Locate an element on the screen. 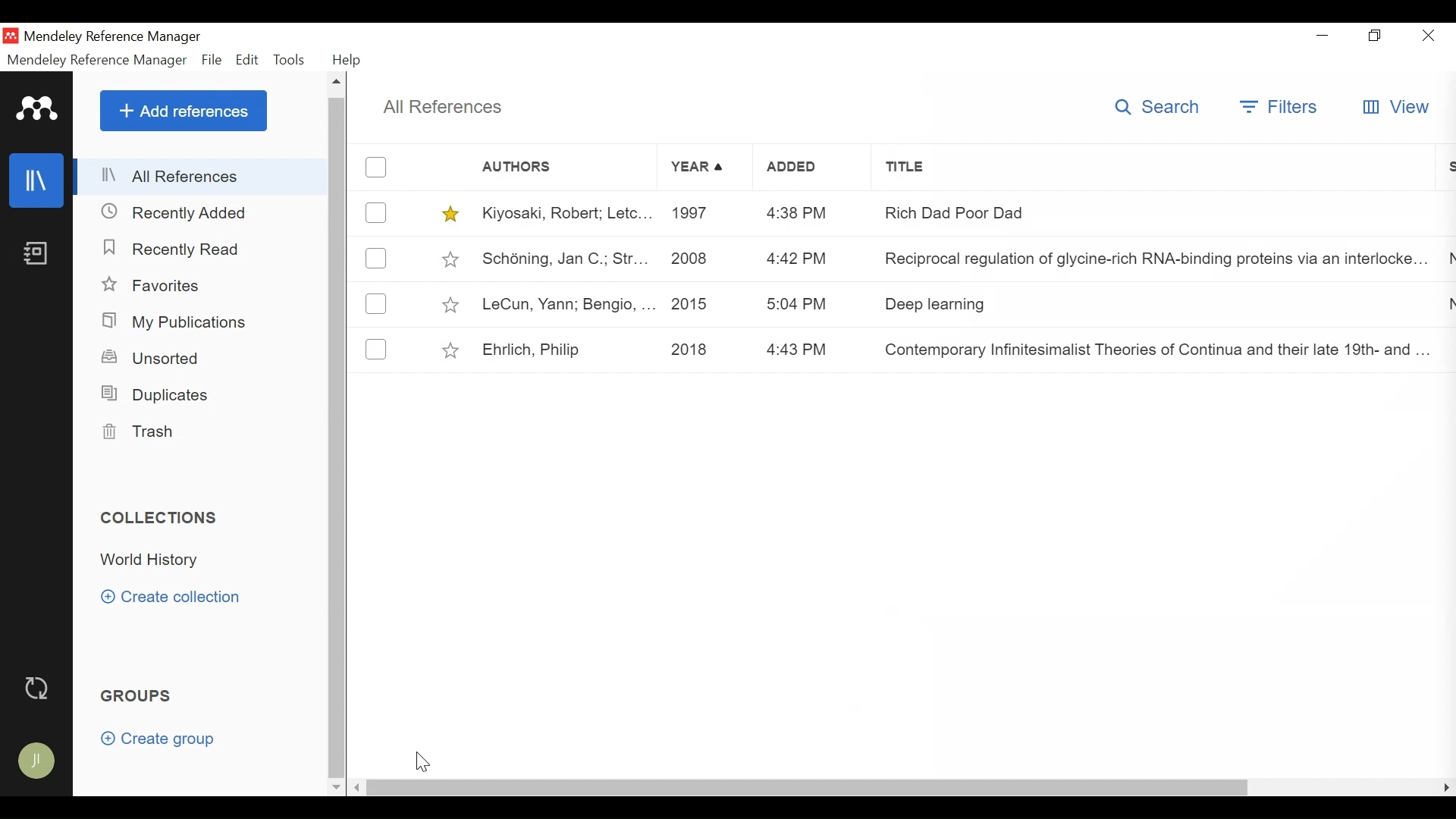 The width and height of the screenshot is (1456, 819). Duplicates is located at coordinates (158, 395).